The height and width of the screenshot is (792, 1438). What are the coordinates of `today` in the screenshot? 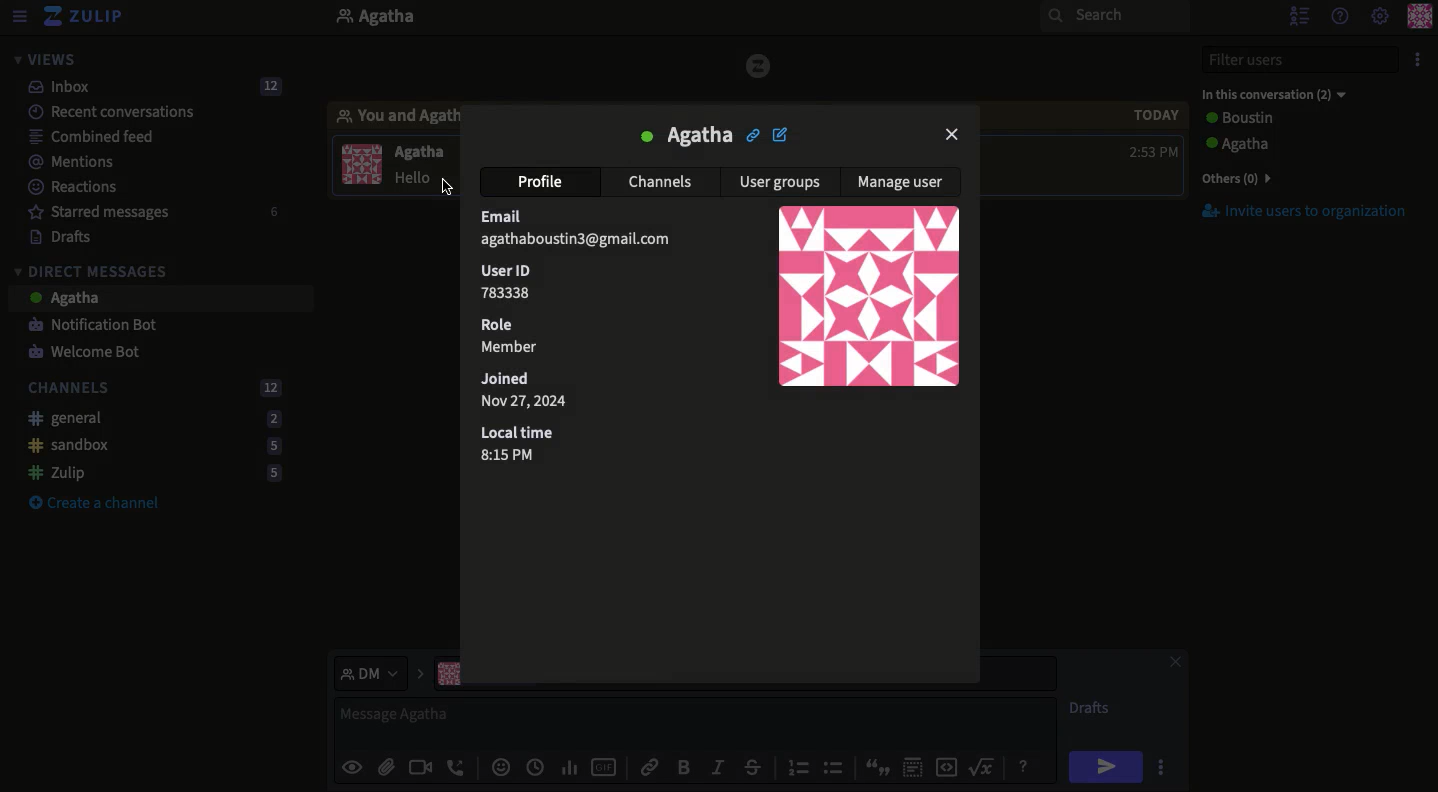 It's located at (1158, 113).